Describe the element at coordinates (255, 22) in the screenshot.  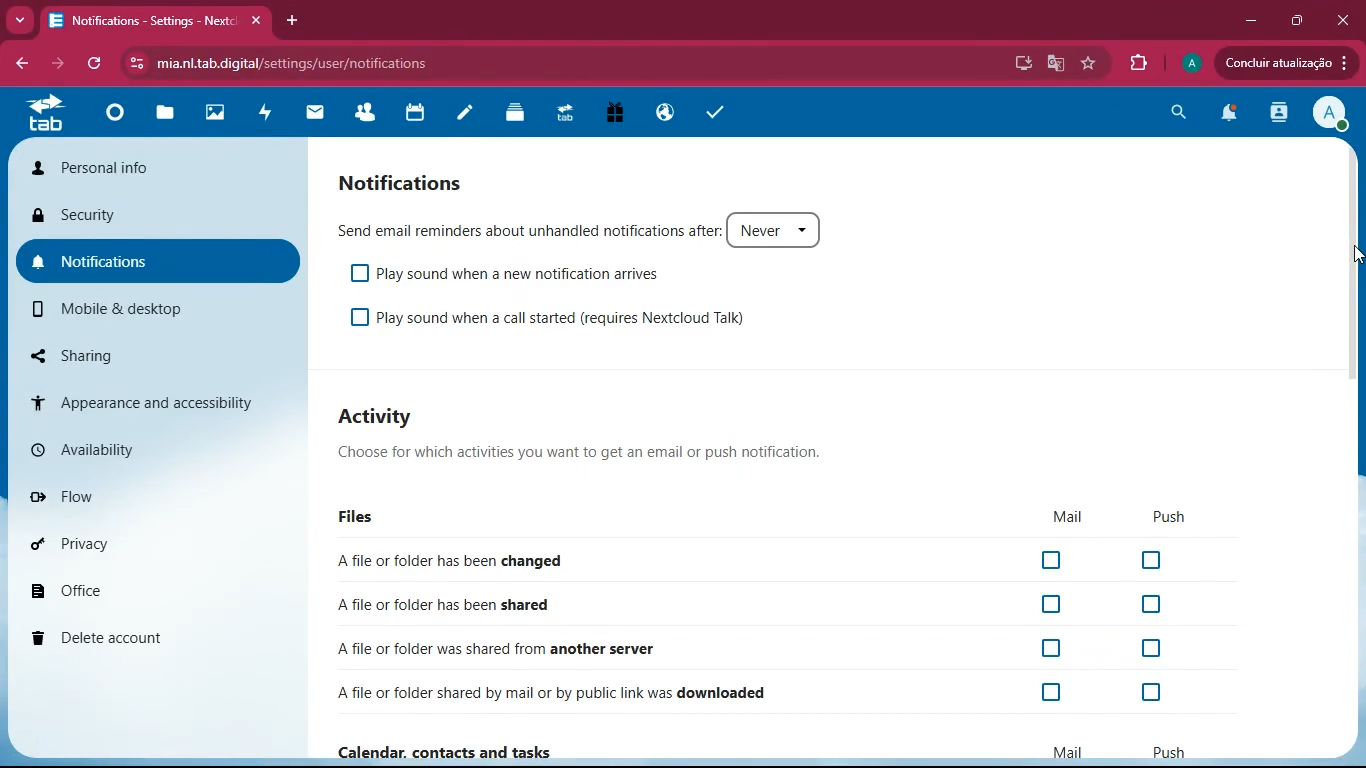
I see `close tab` at that location.